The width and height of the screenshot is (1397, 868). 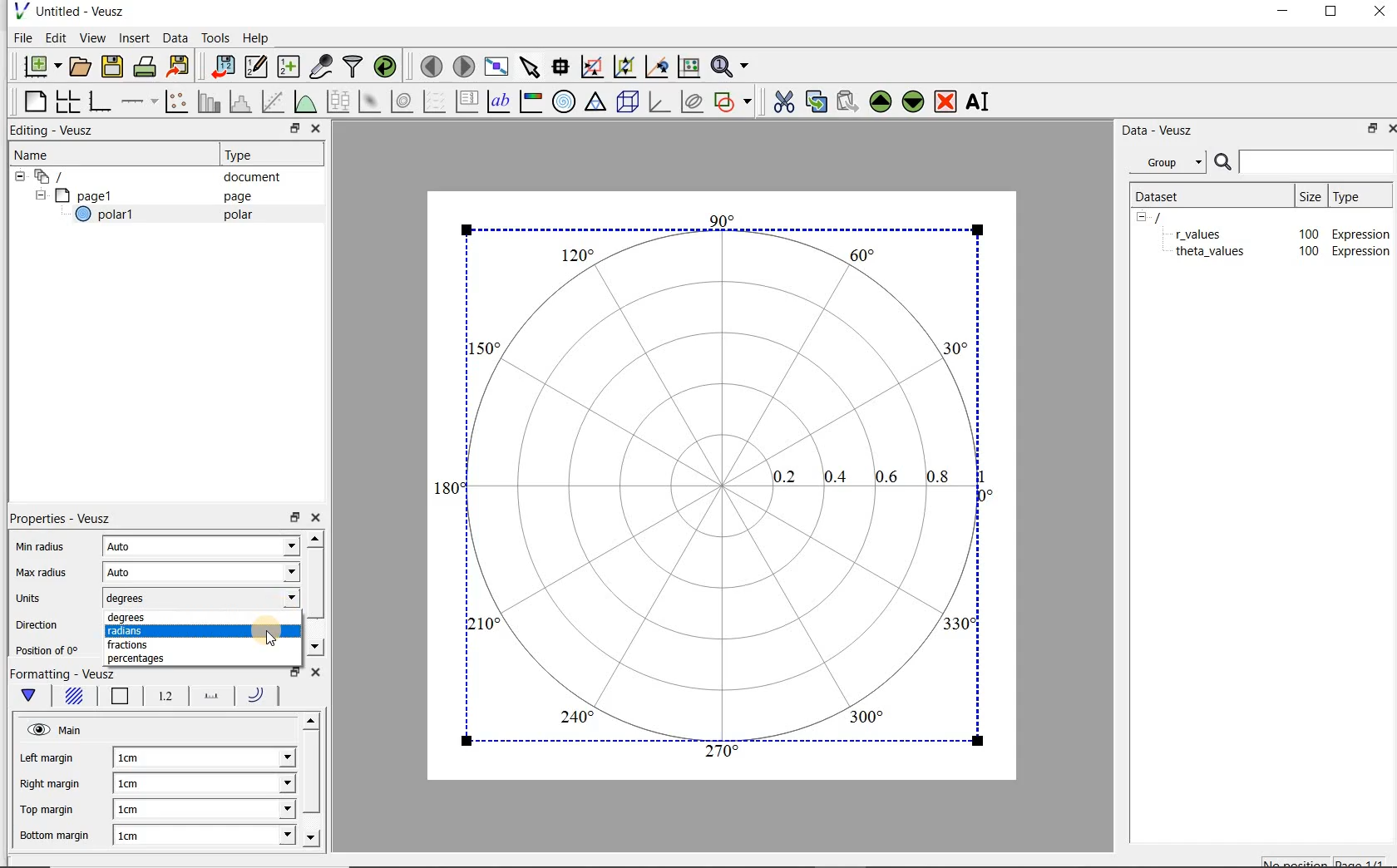 What do you see at coordinates (1365, 251) in the screenshot?
I see `Expression` at bounding box center [1365, 251].